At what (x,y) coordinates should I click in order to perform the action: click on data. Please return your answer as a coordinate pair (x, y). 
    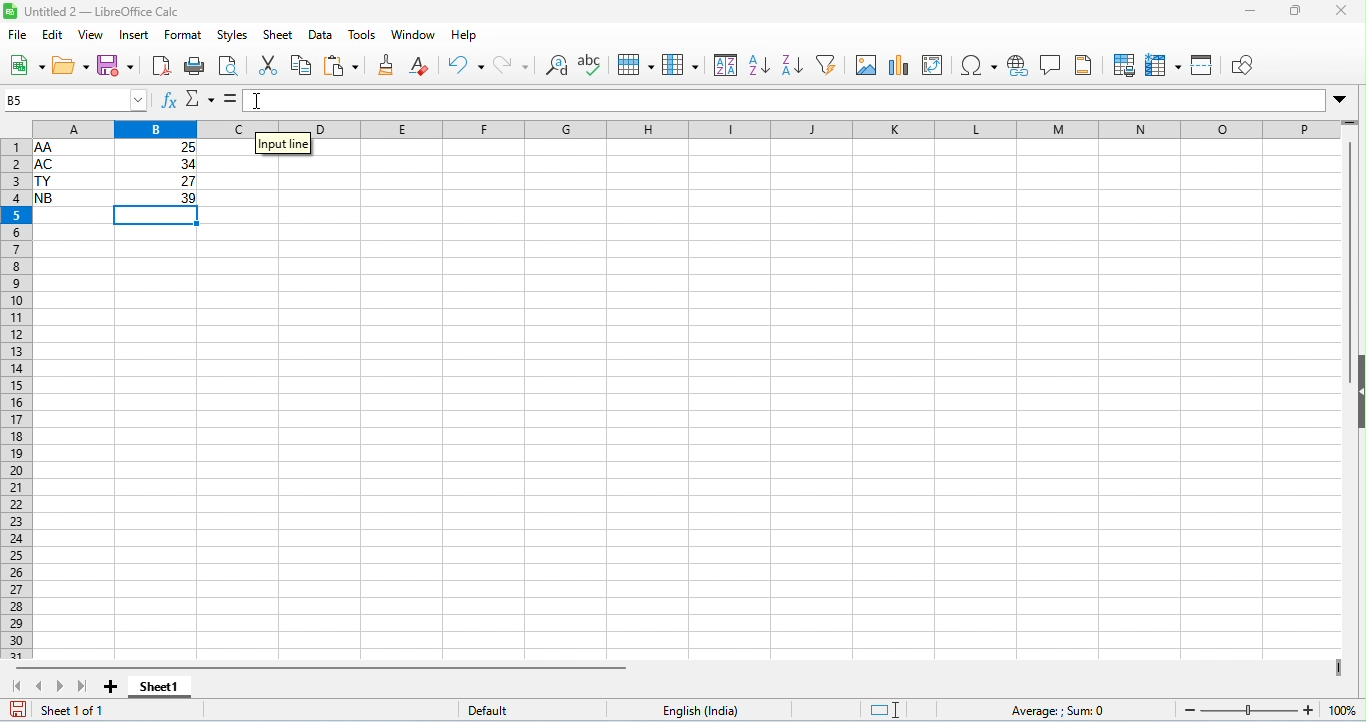
    Looking at the image, I should click on (321, 36).